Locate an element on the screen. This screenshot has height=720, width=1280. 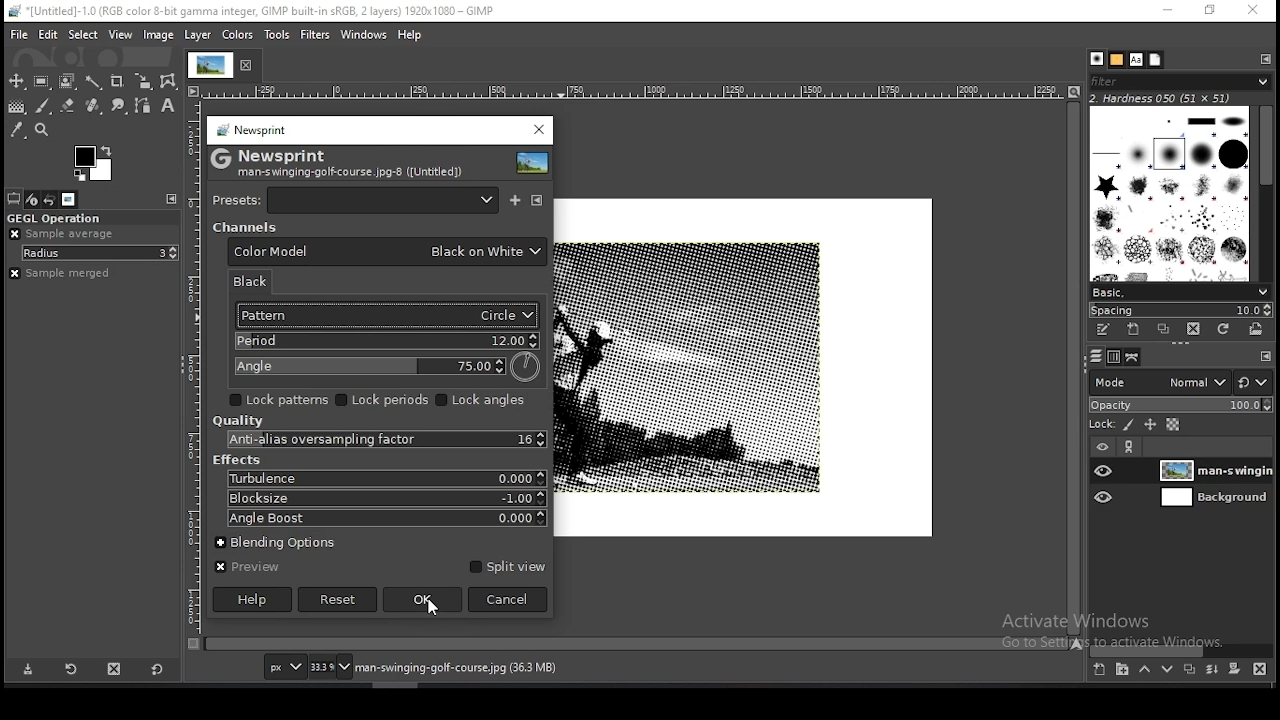
device status is located at coordinates (32, 199).